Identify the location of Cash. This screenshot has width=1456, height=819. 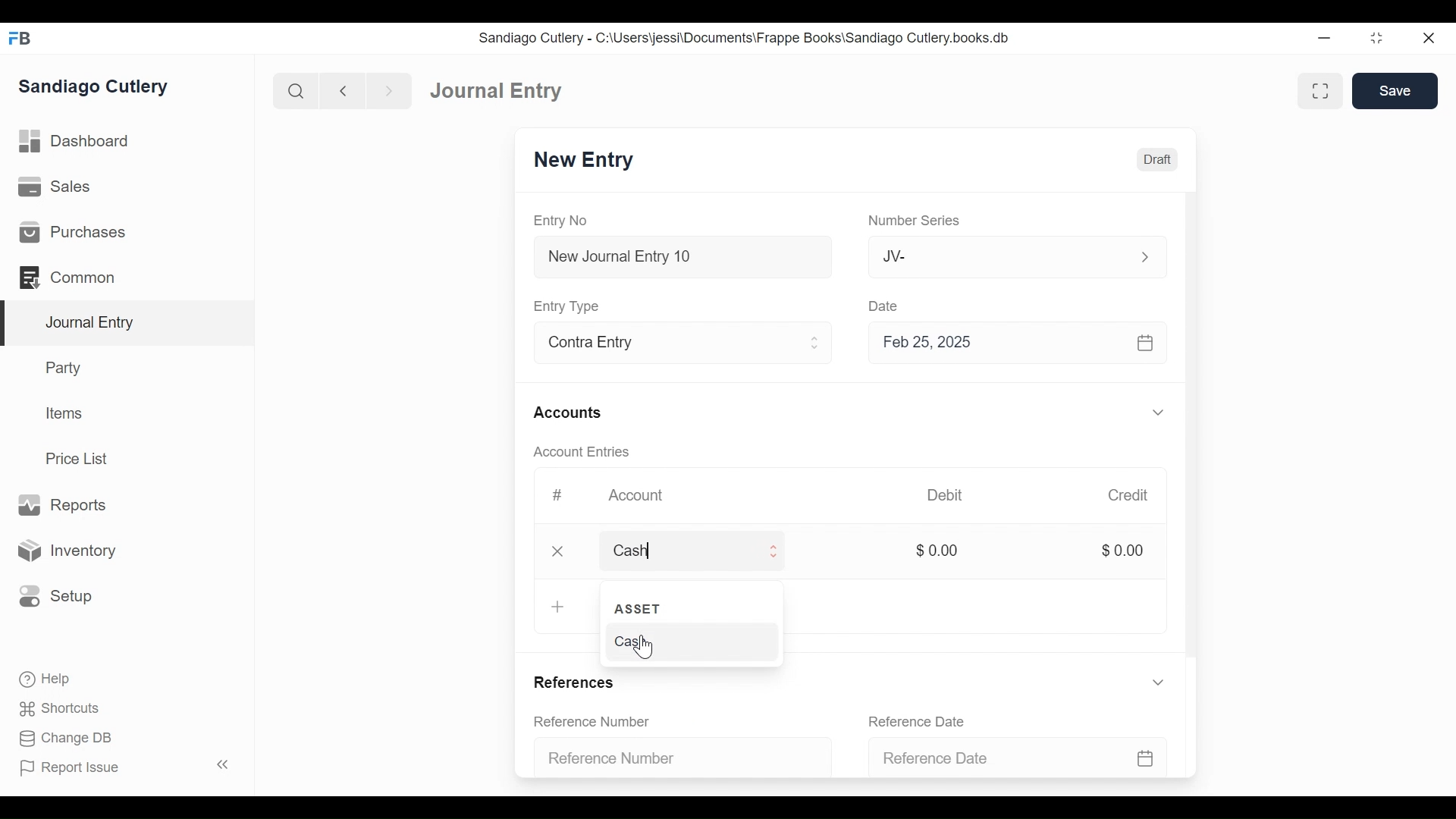
(676, 550).